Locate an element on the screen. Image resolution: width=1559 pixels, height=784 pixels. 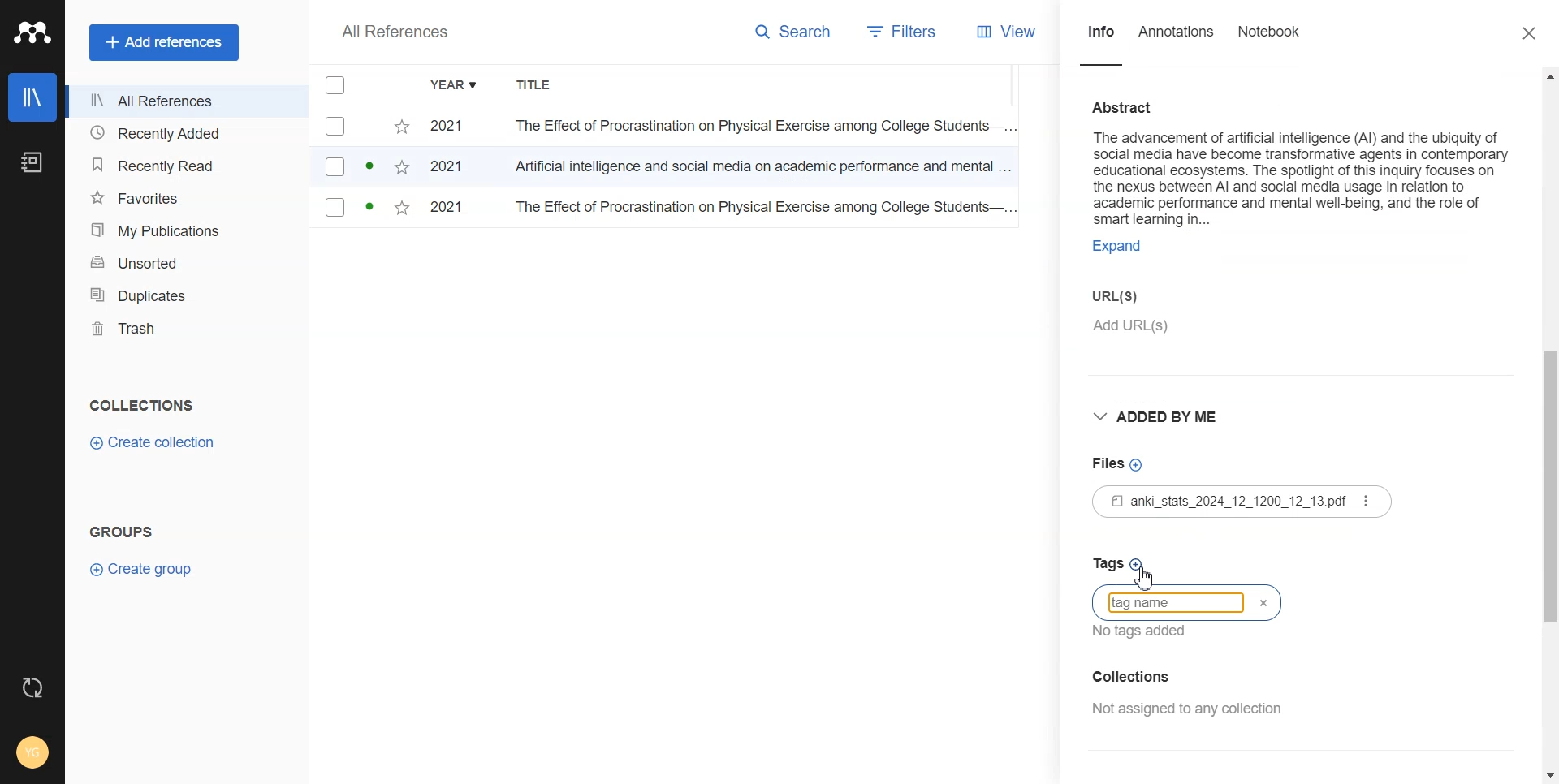
Close is located at coordinates (1530, 34).